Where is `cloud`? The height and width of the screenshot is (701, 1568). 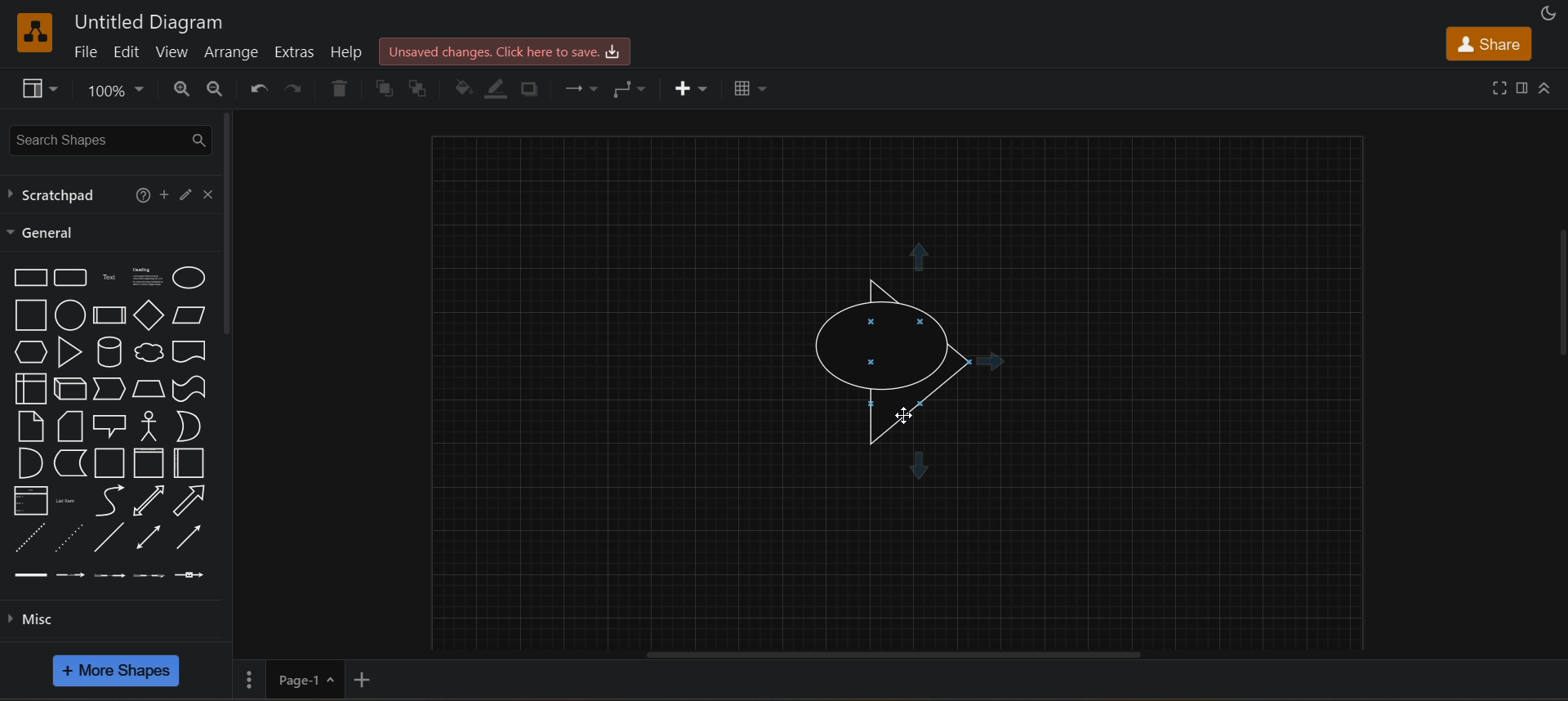 cloud is located at coordinates (148, 352).